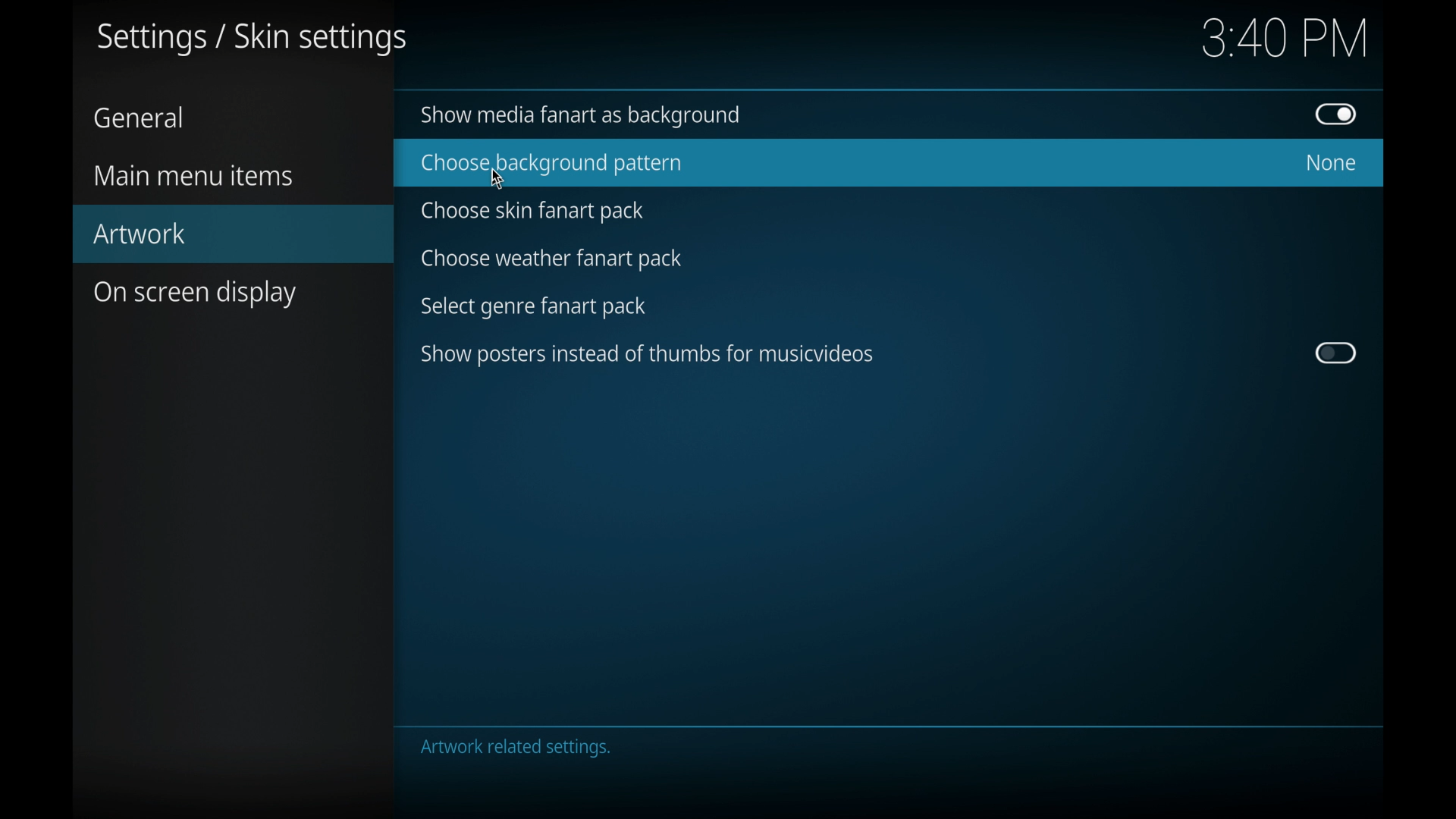 The image size is (1456, 819). I want to click on on screen display, so click(196, 294).